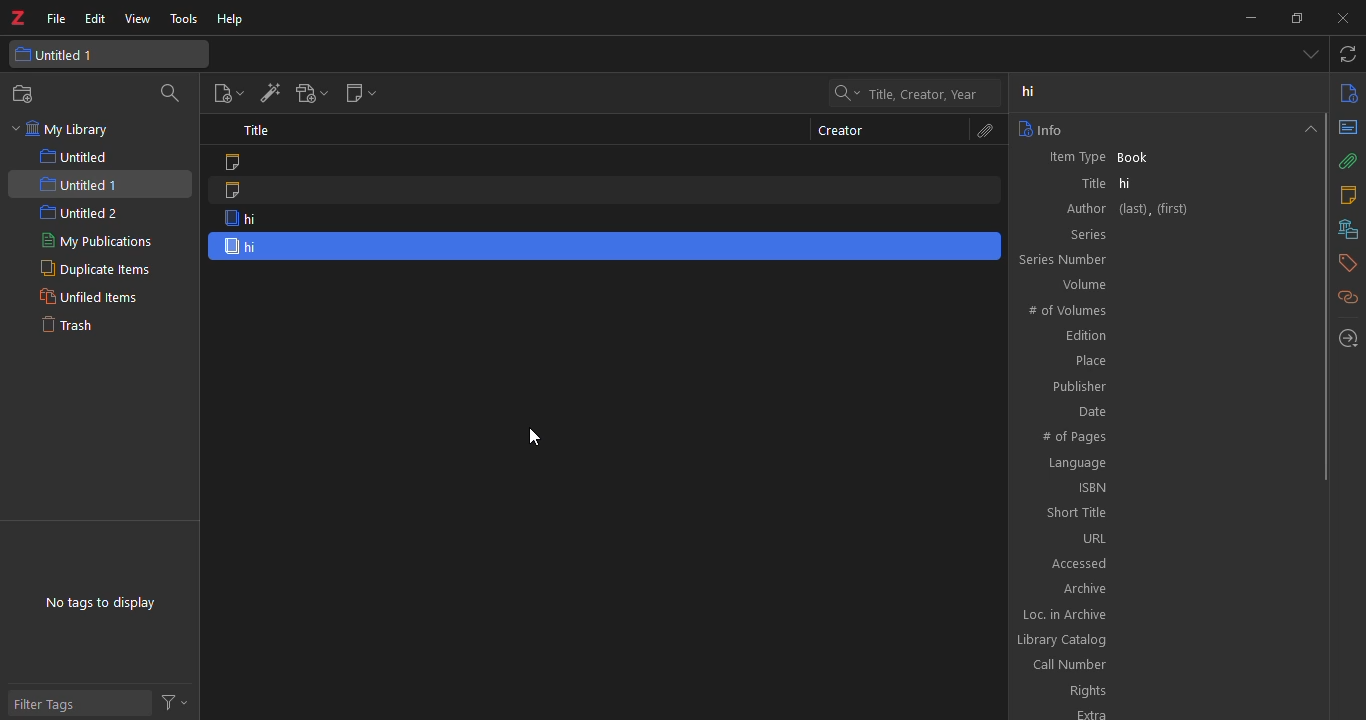 The height and width of the screenshot is (720, 1366). I want to click on locate, so click(1351, 338).